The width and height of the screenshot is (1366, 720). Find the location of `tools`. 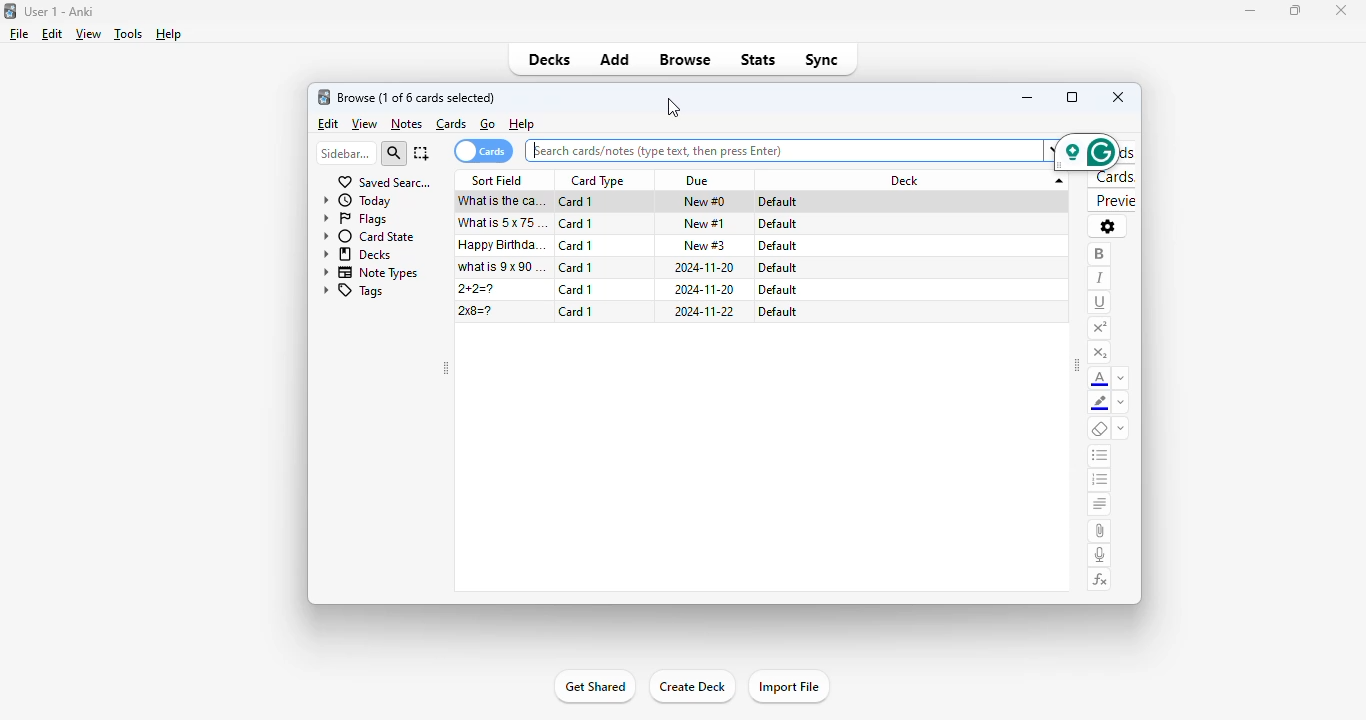

tools is located at coordinates (128, 33).